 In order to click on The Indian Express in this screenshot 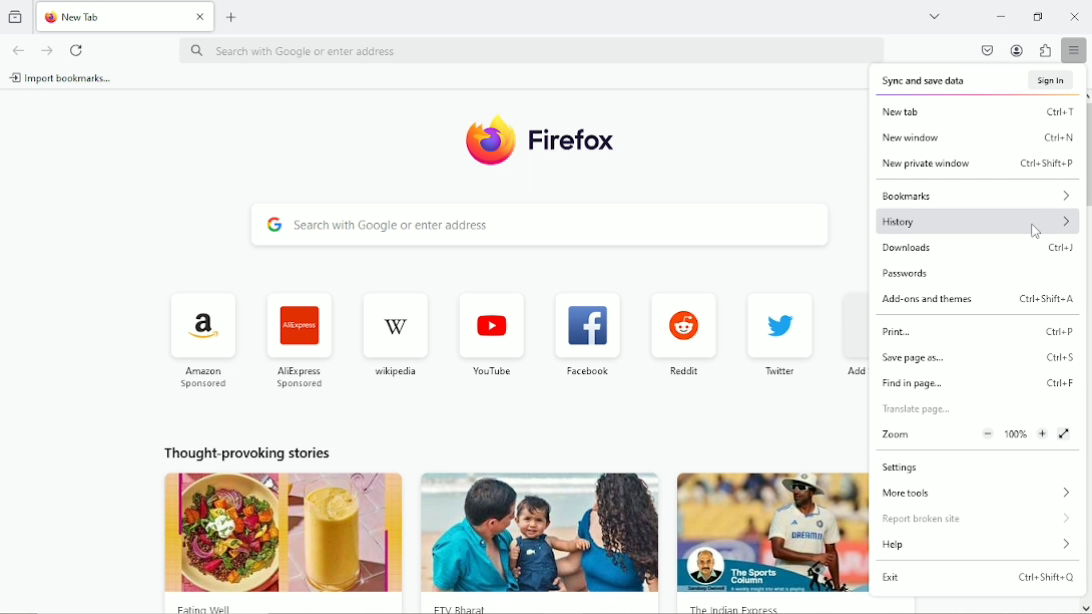, I will do `click(771, 606)`.